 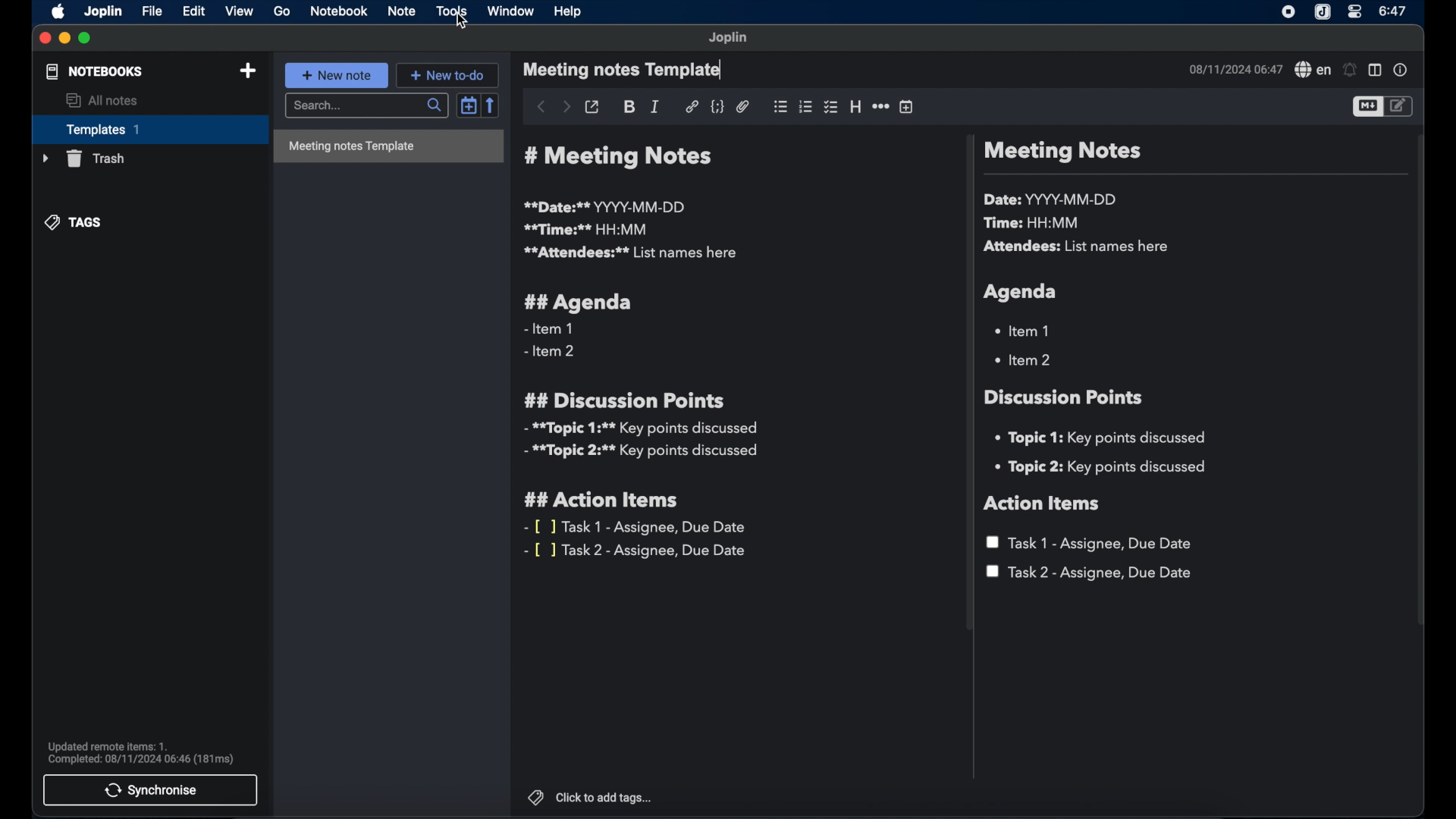 I want to click on updated remote item 1. completed: 08/11/2024 06:46 (181 ms) , so click(x=143, y=752).